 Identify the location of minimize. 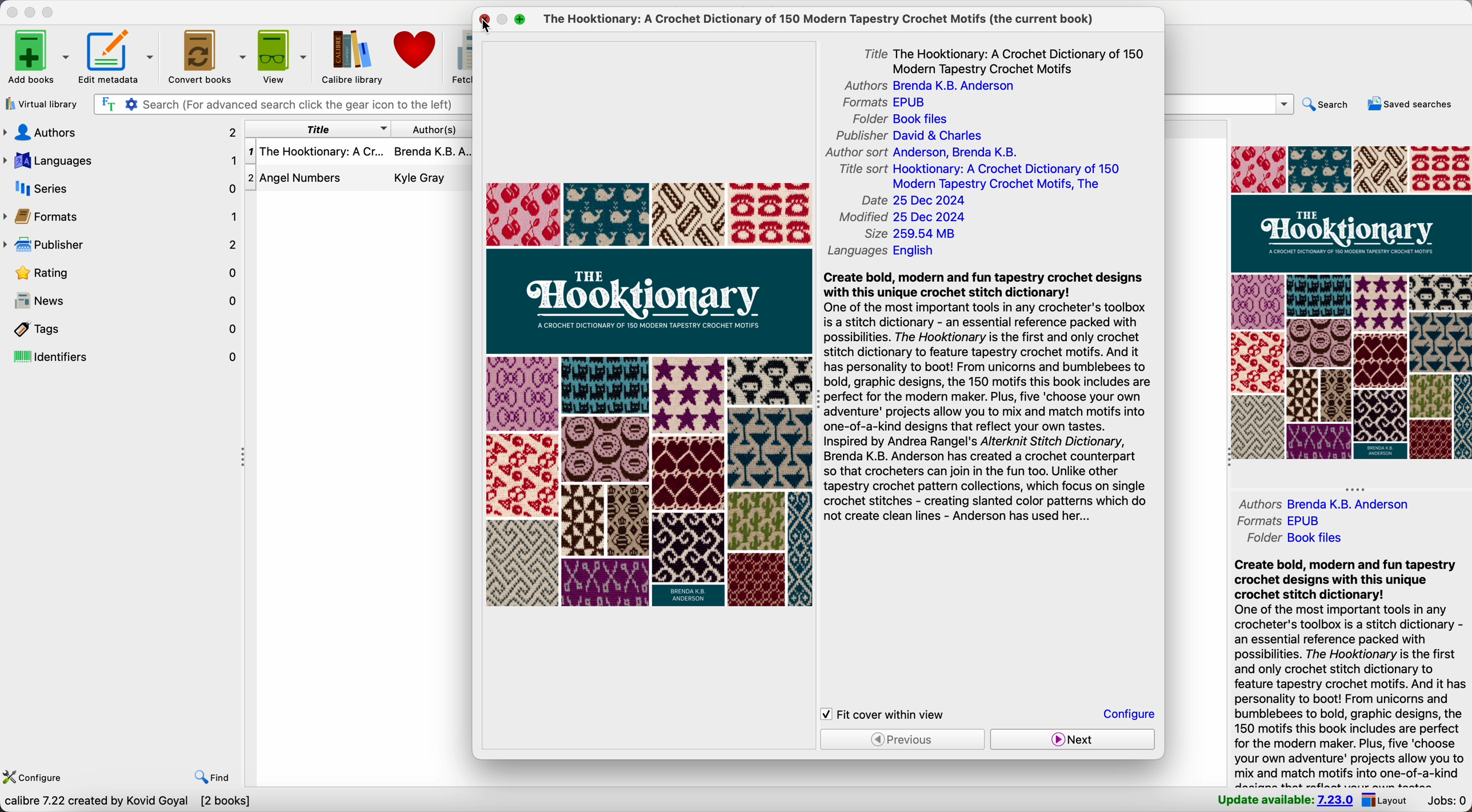
(33, 11).